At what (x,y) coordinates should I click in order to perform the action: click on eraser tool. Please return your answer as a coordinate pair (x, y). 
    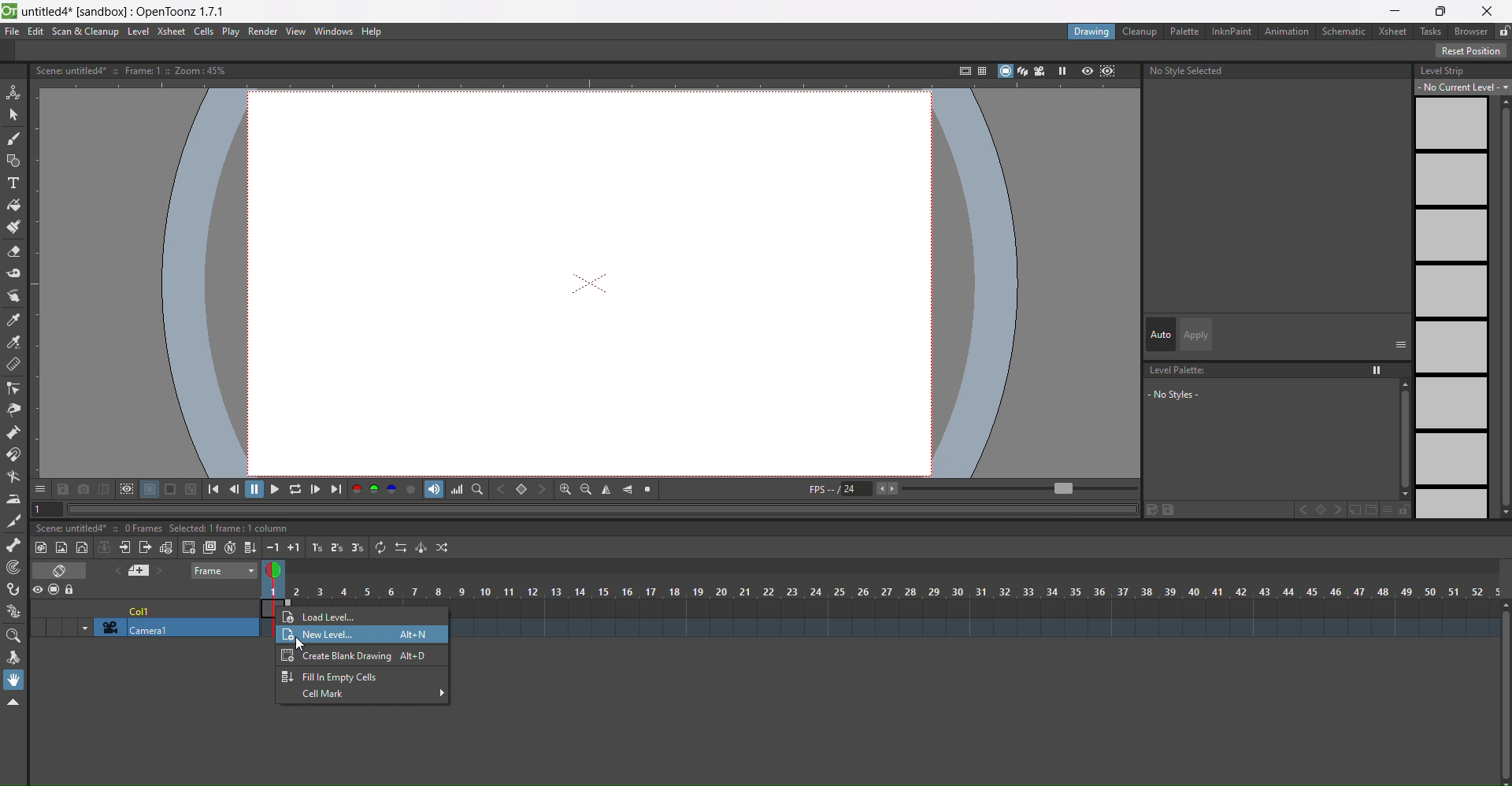
    Looking at the image, I should click on (14, 251).